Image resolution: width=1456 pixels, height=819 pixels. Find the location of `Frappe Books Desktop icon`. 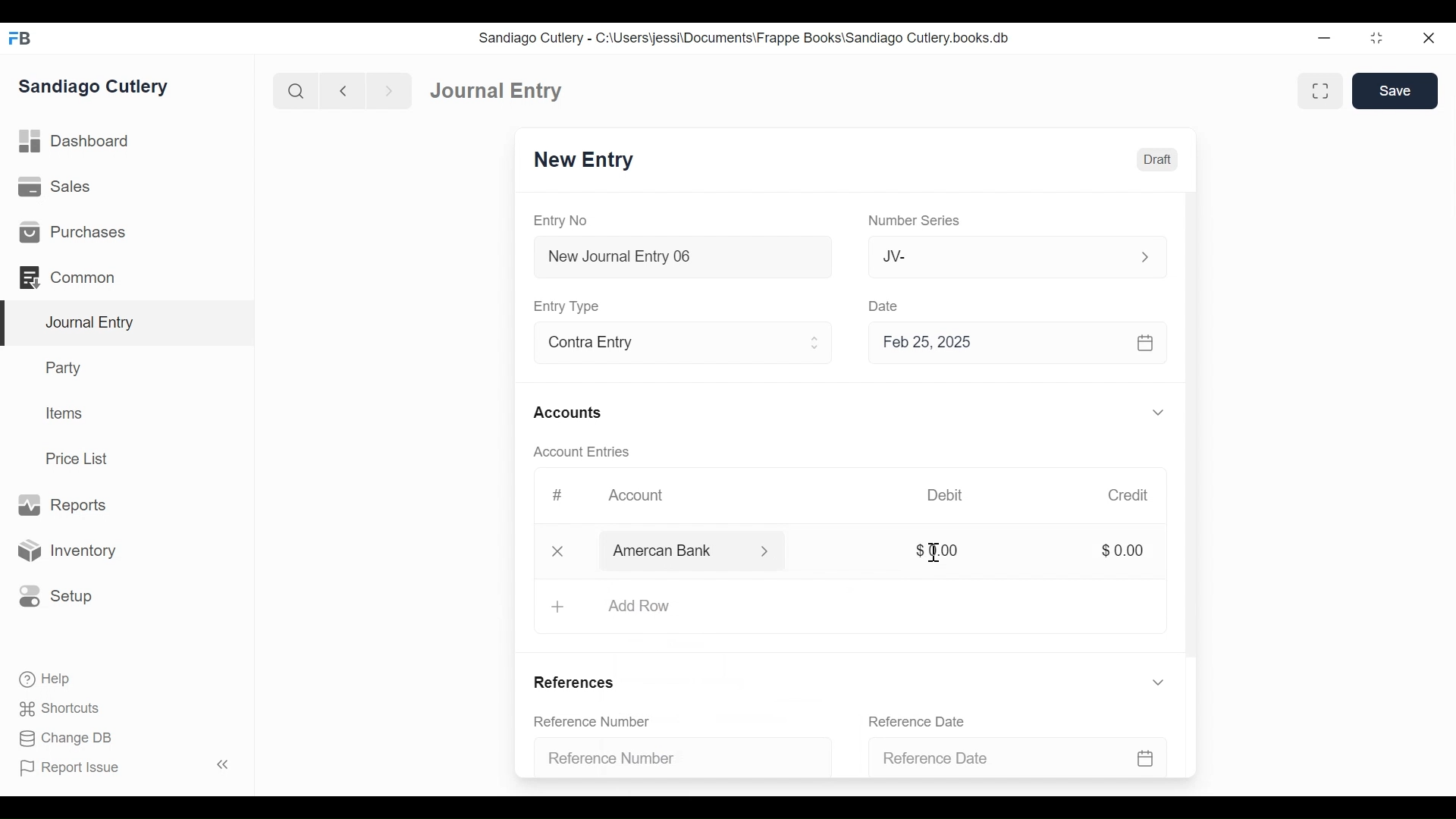

Frappe Books Desktop icon is located at coordinates (21, 39).